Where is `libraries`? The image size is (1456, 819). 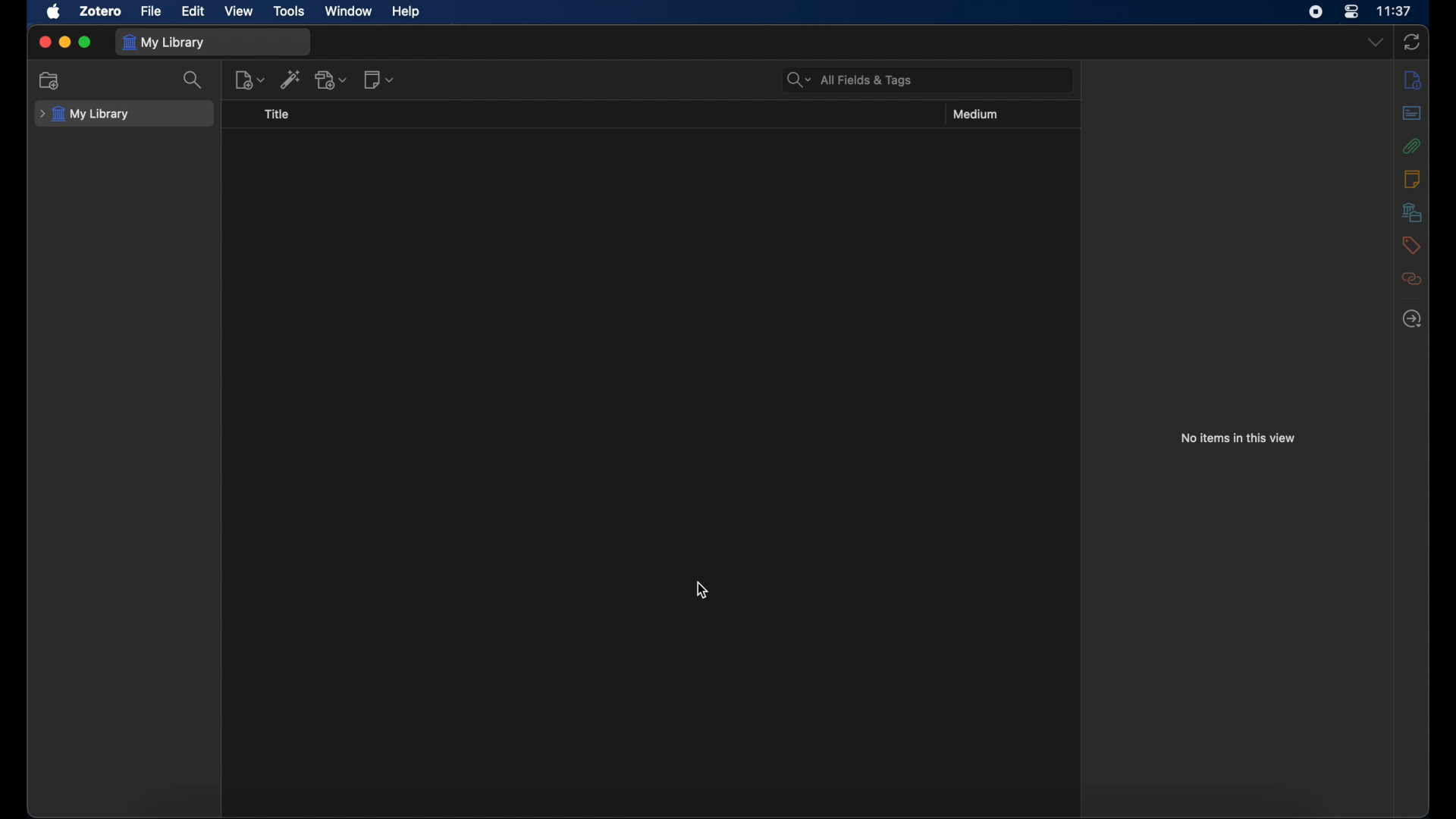
libraries is located at coordinates (1412, 212).